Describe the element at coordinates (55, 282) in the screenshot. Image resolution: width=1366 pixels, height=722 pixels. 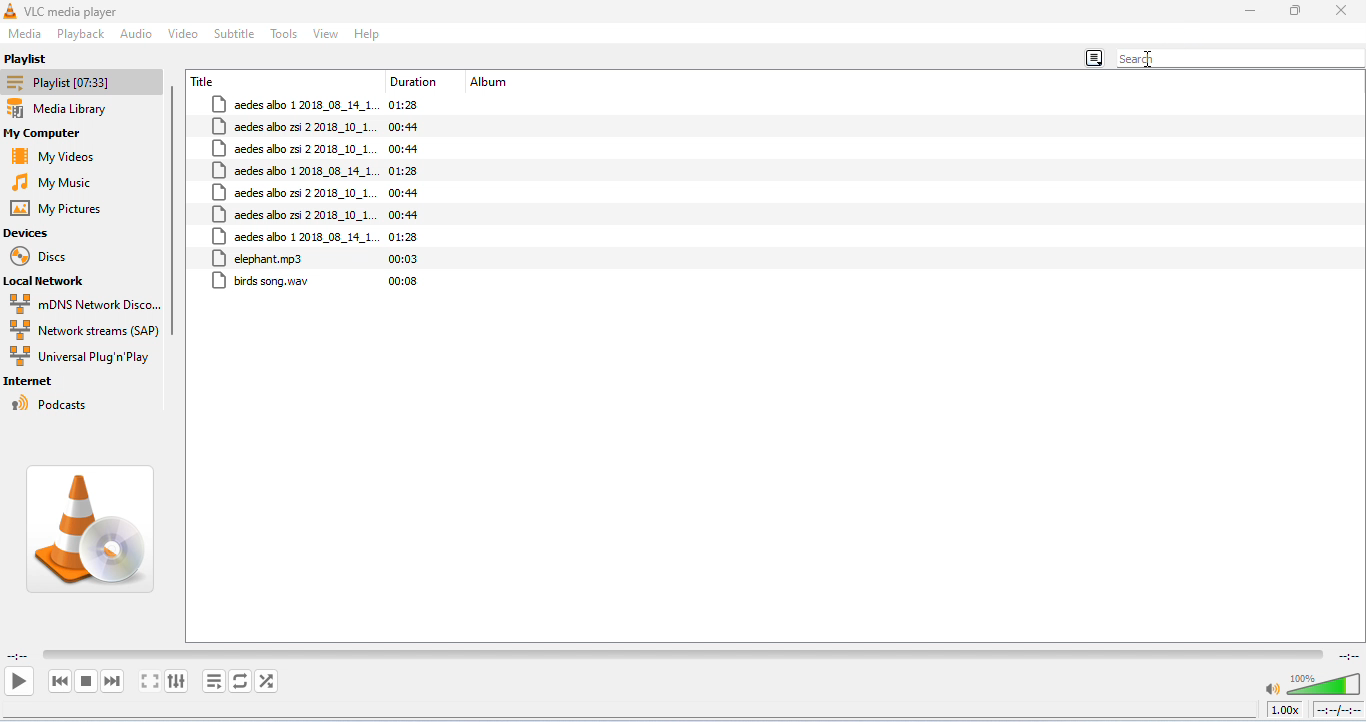
I see `local network` at that location.